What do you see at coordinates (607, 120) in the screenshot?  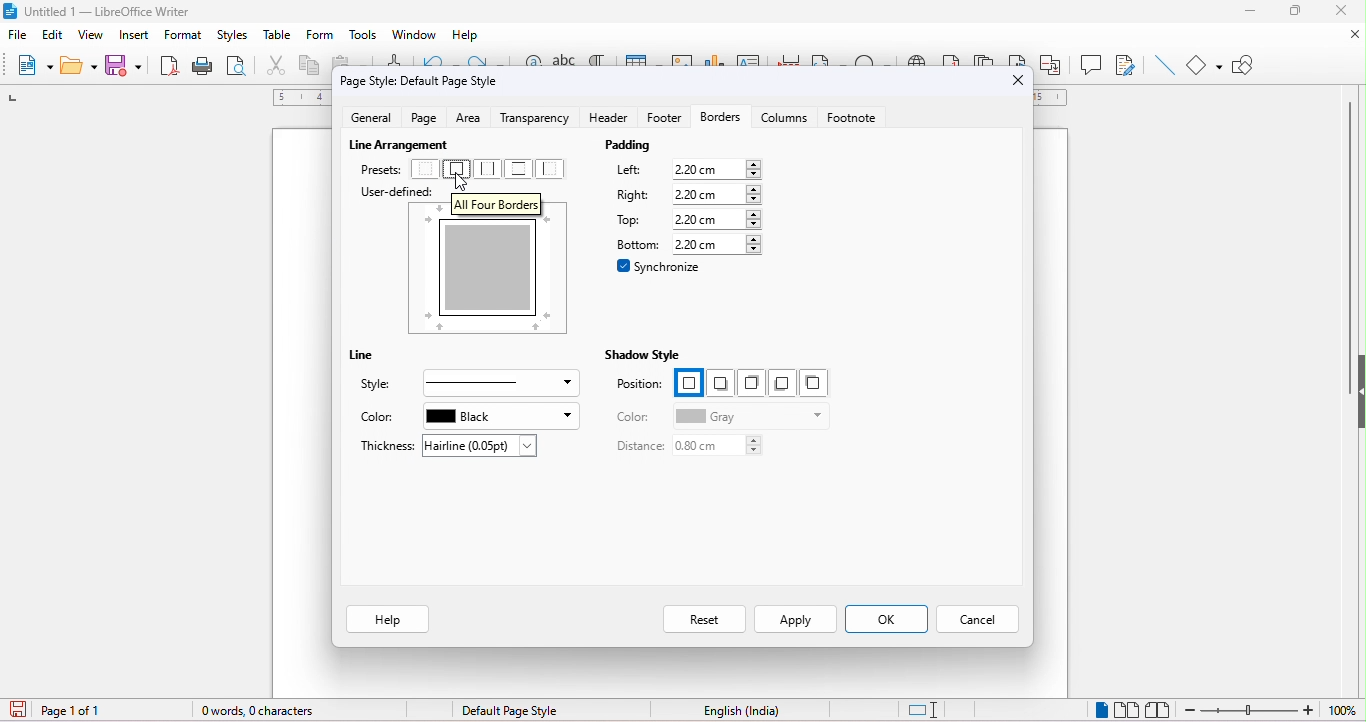 I see `header` at bounding box center [607, 120].